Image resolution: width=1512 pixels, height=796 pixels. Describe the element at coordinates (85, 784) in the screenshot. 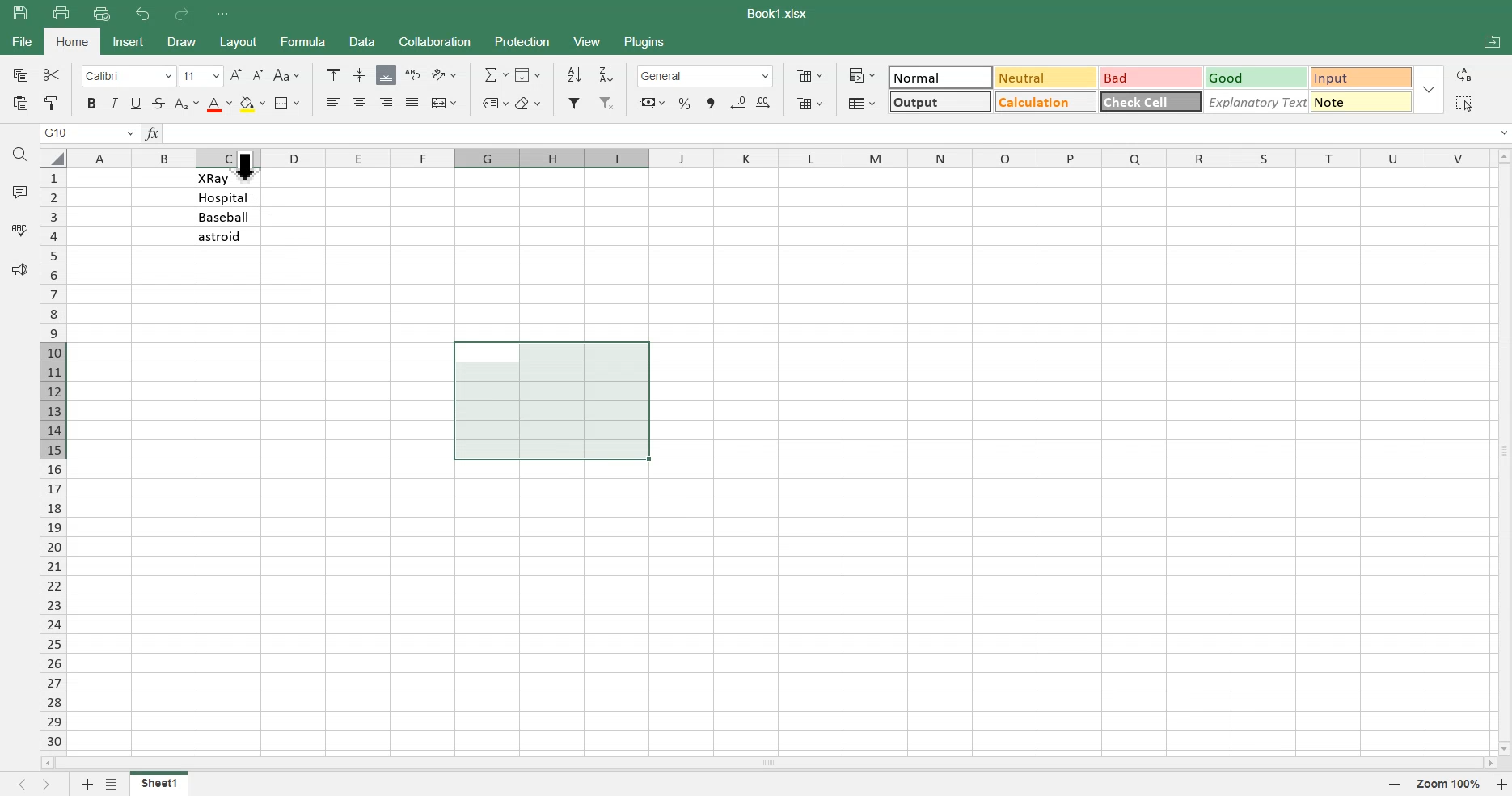

I see `Add Sheet` at that location.